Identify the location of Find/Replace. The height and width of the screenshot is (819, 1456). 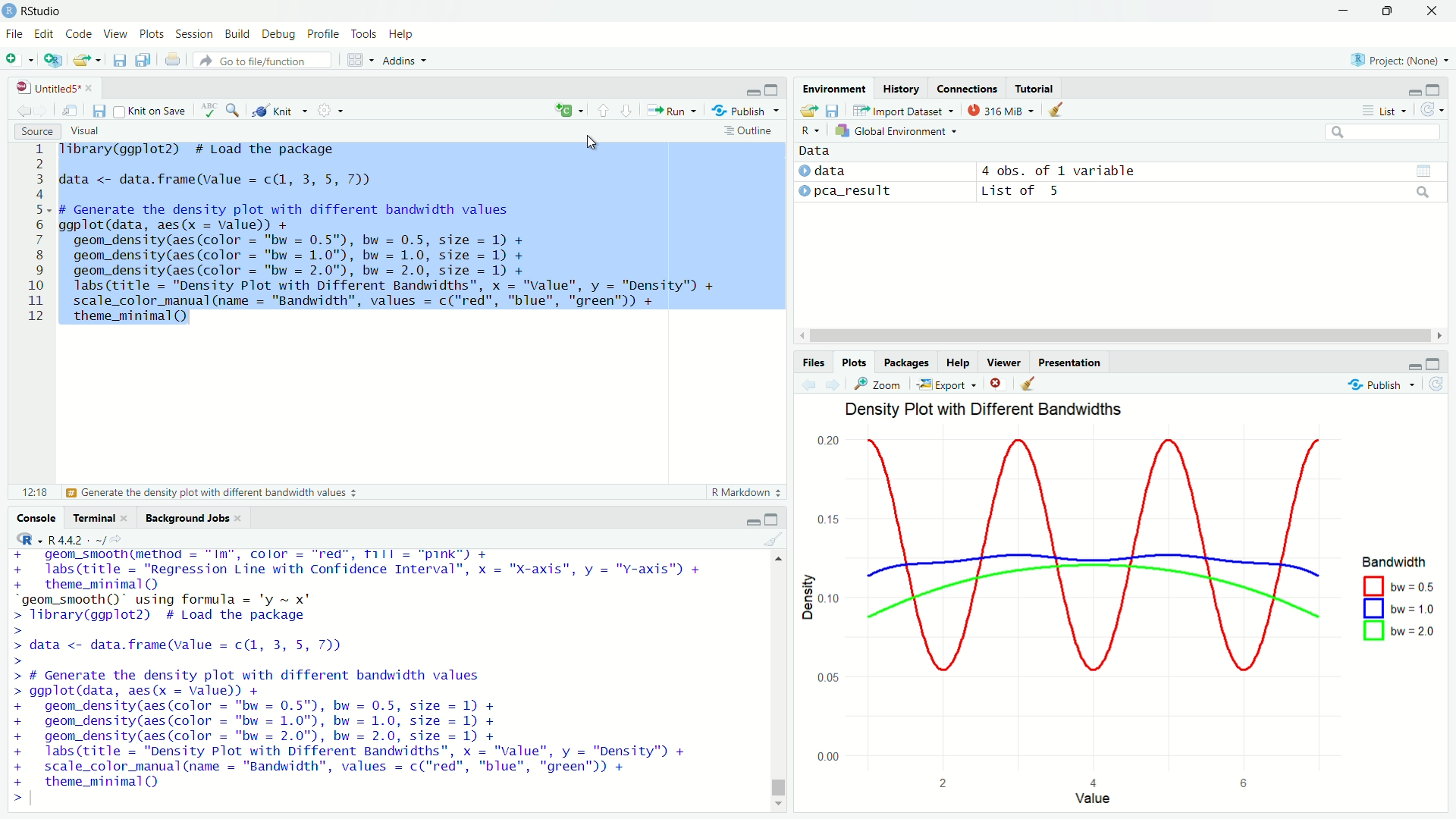
(233, 109).